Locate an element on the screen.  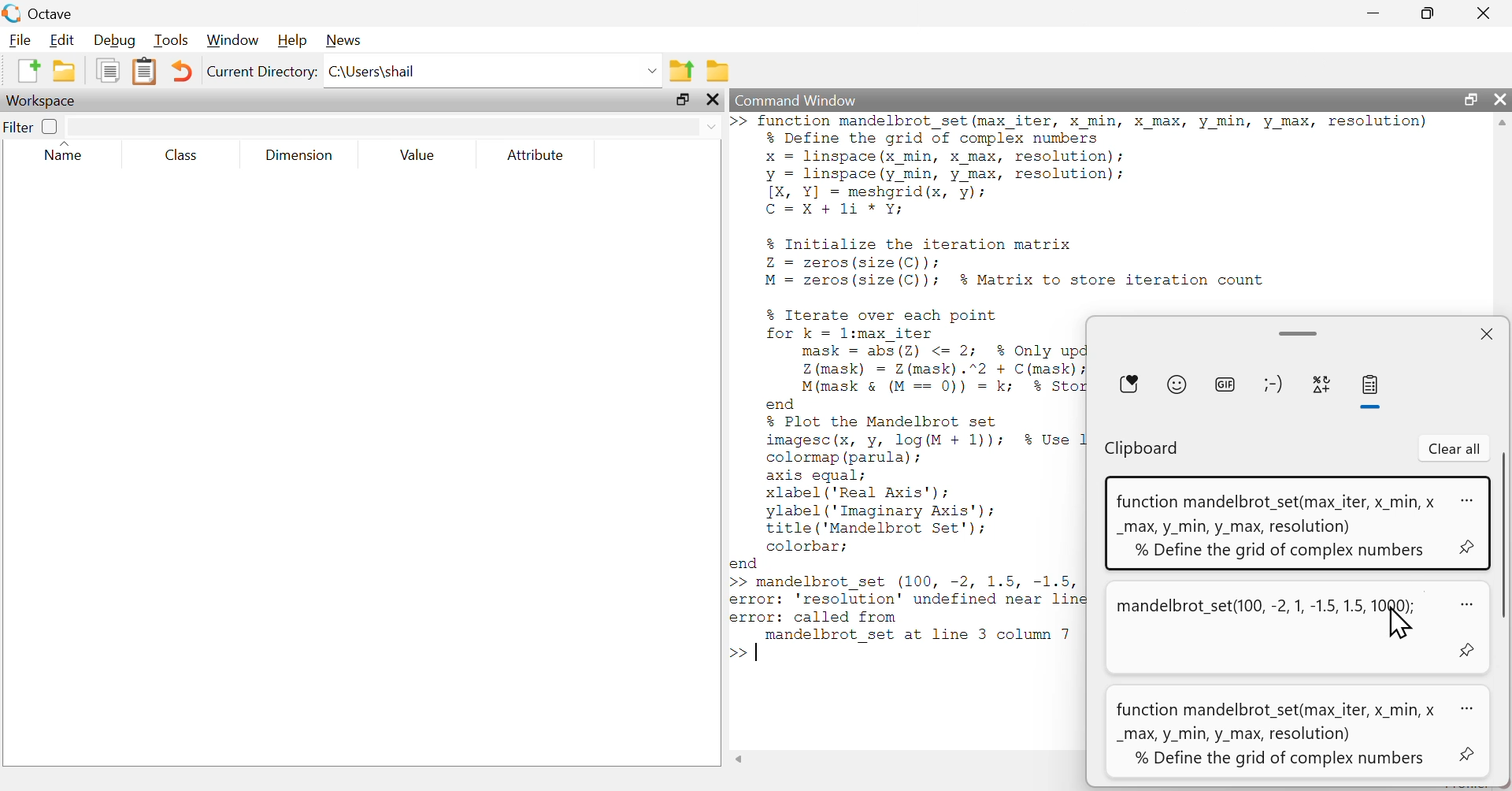
News is located at coordinates (343, 41).